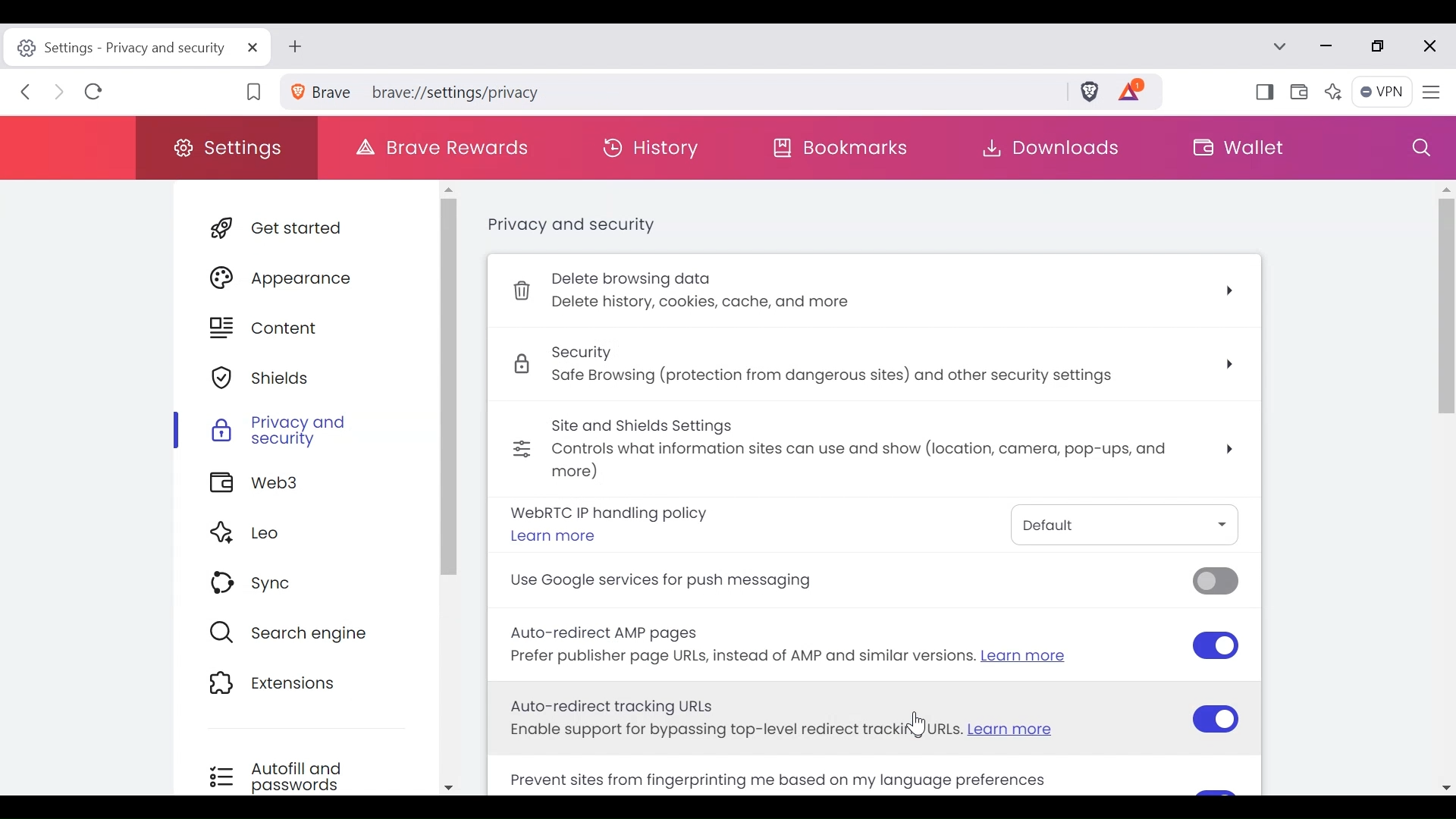  What do you see at coordinates (1382, 93) in the screenshot?
I see `VPN` at bounding box center [1382, 93].